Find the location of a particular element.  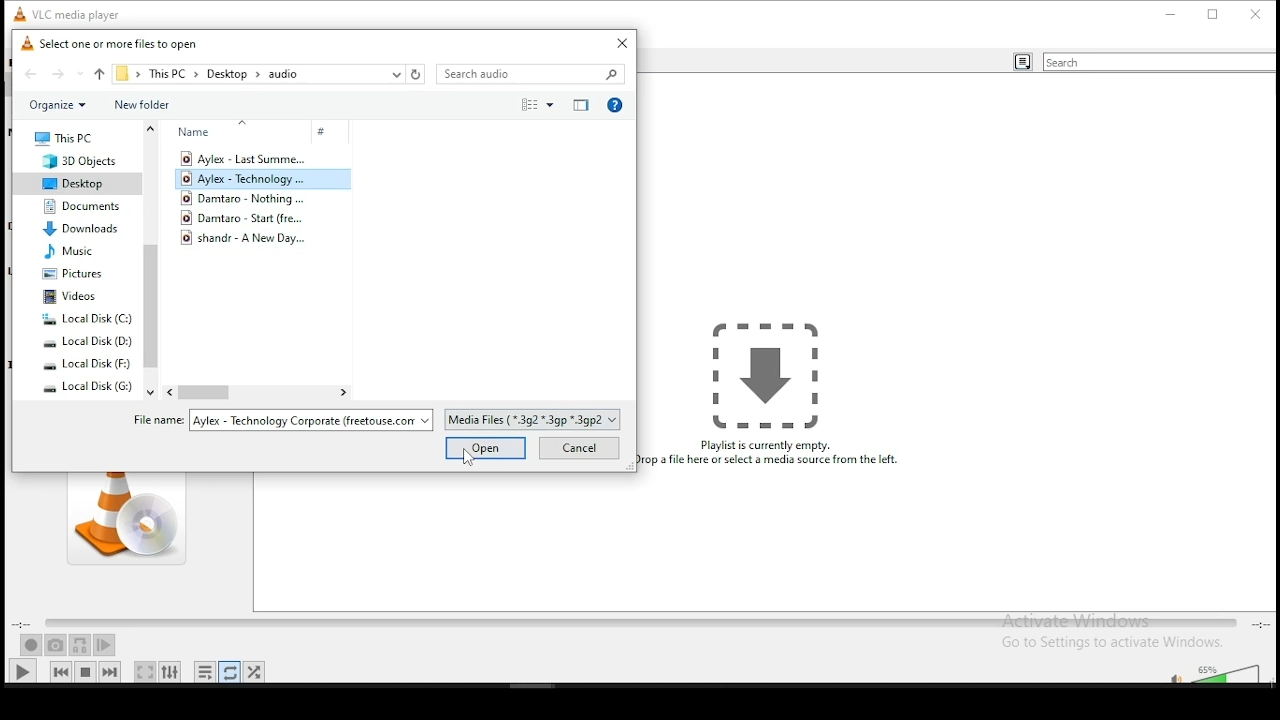

click to toggle between loop al, loop one, and no loop is located at coordinates (230, 672).